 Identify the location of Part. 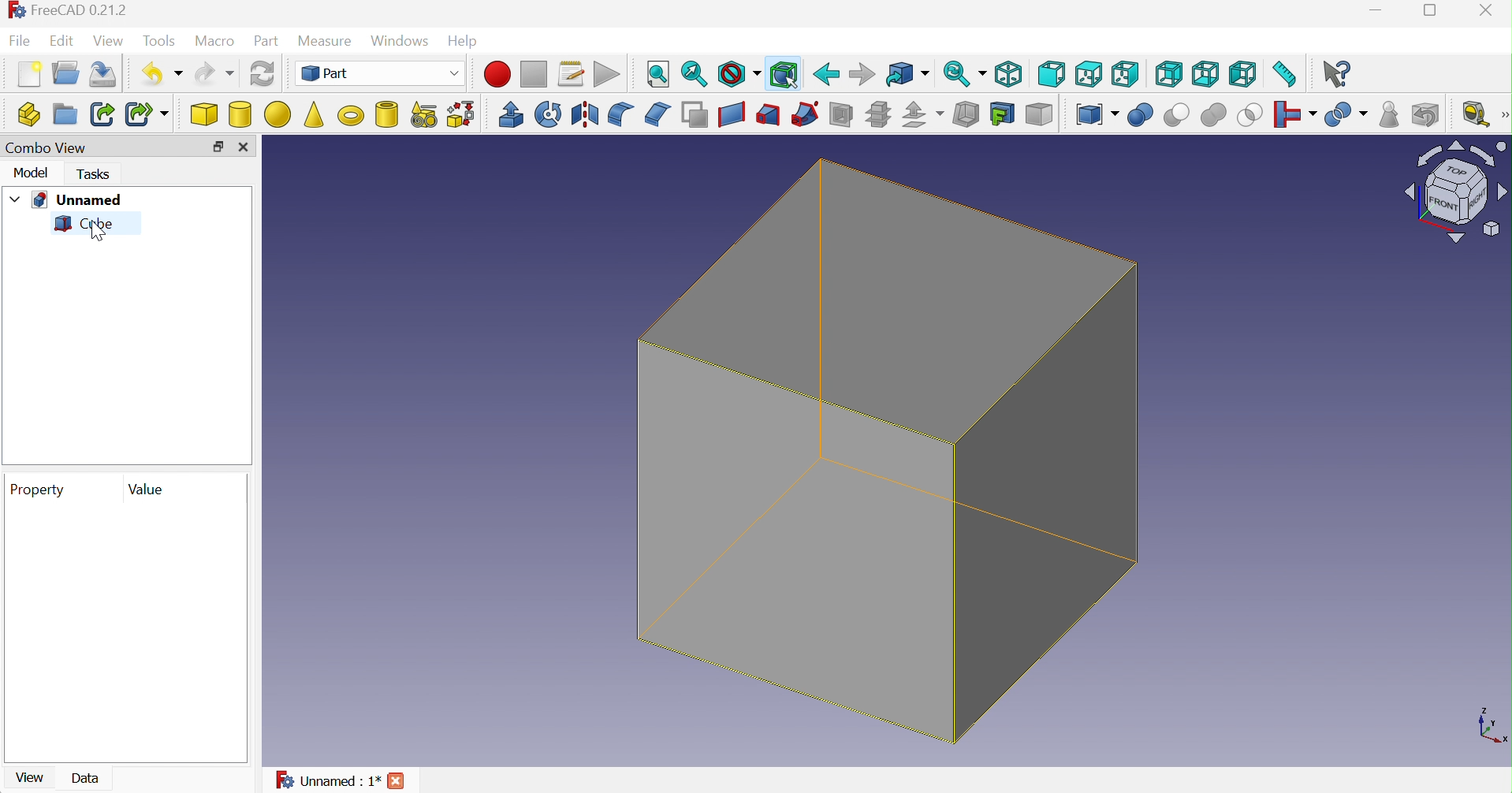
(381, 73).